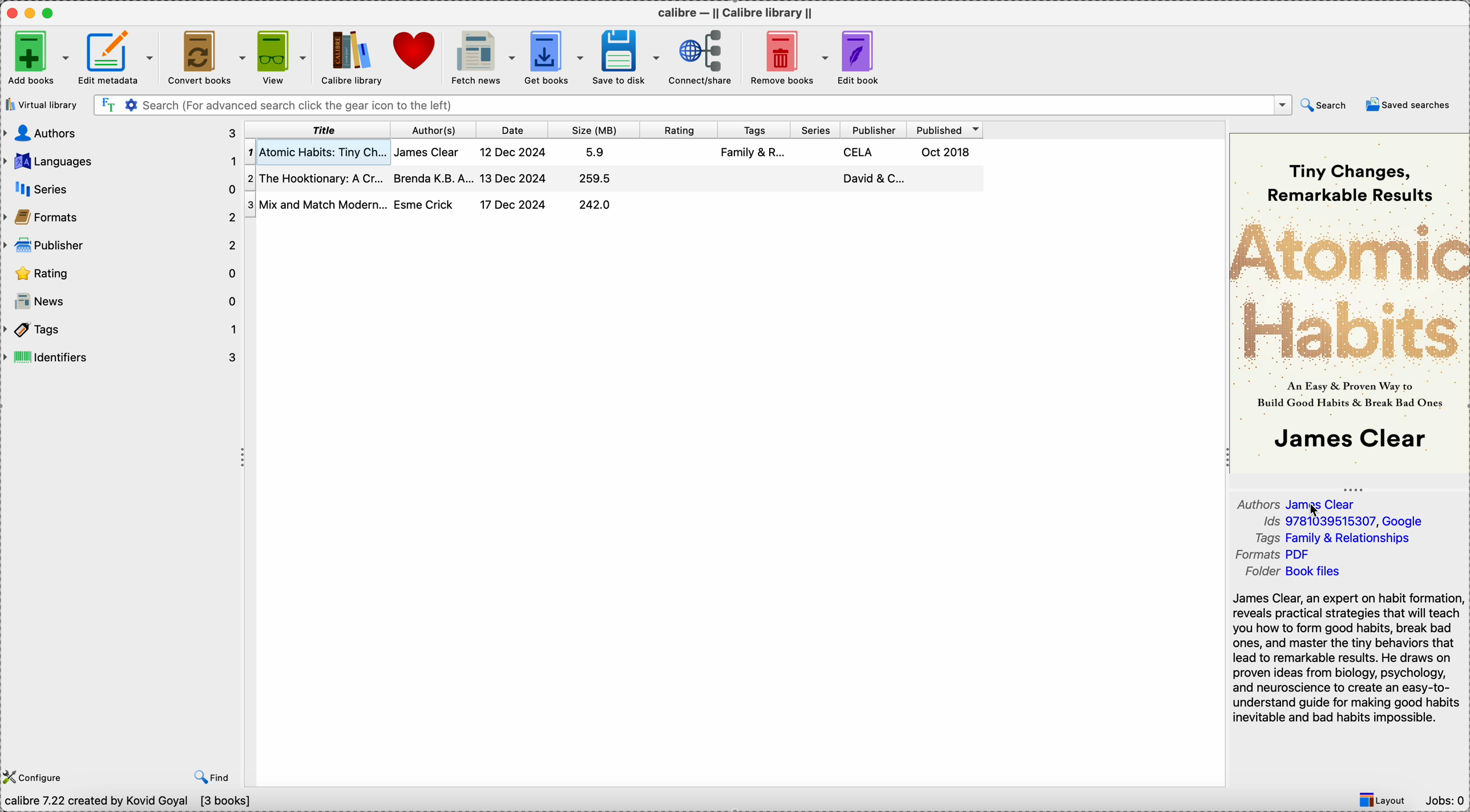 Image resolution: width=1470 pixels, height=812 pixels. What do you see at coordinates (859, 58) in the screenshot?
I see `edit book` at bounding box center [859, 58].